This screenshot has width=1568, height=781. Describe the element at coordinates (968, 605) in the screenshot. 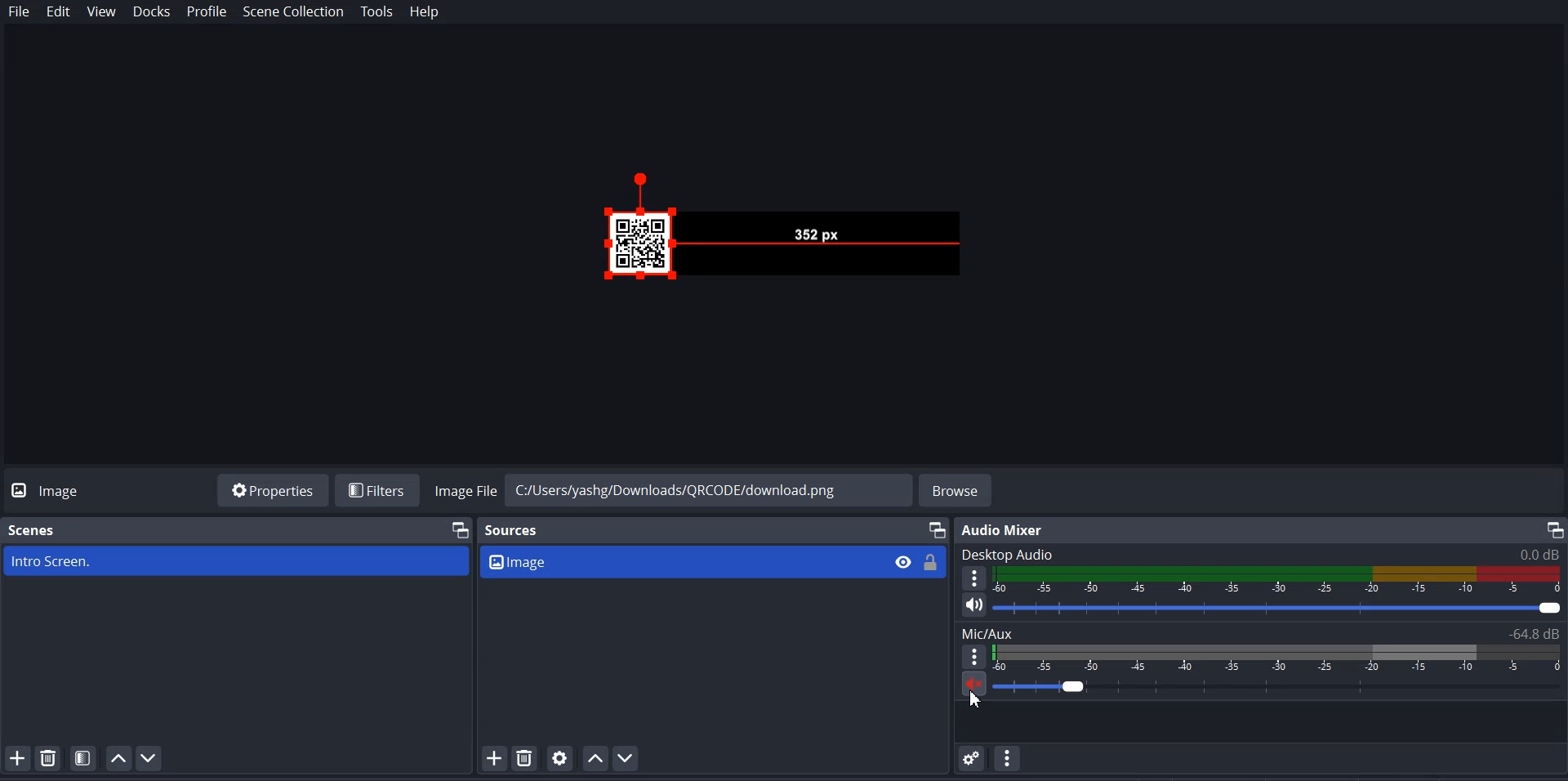

I see `Volume` at that location.